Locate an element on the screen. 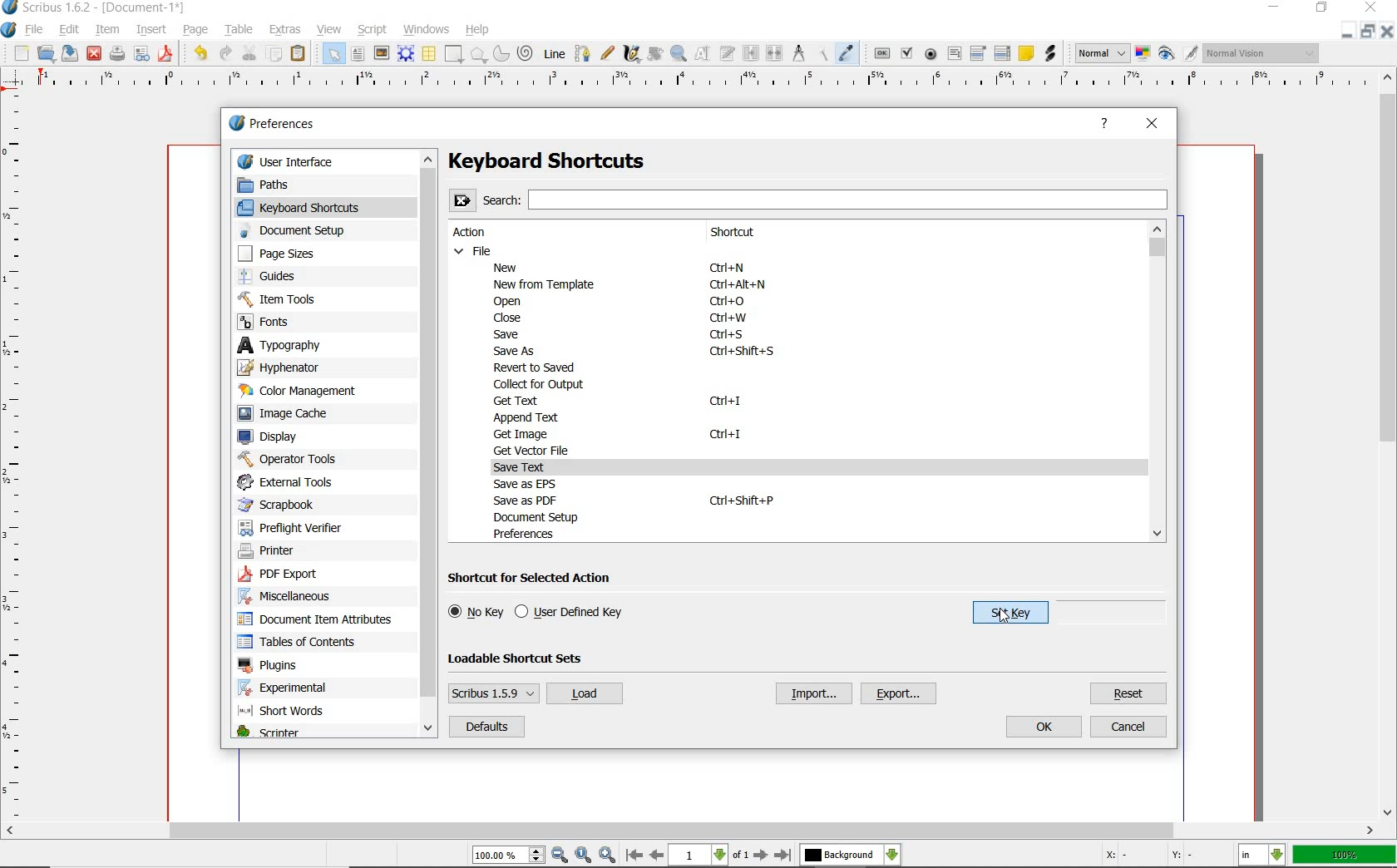 Image resolution: width=1397 pixels, height=868 pixels. spiral is located at coordinates (526, 52).